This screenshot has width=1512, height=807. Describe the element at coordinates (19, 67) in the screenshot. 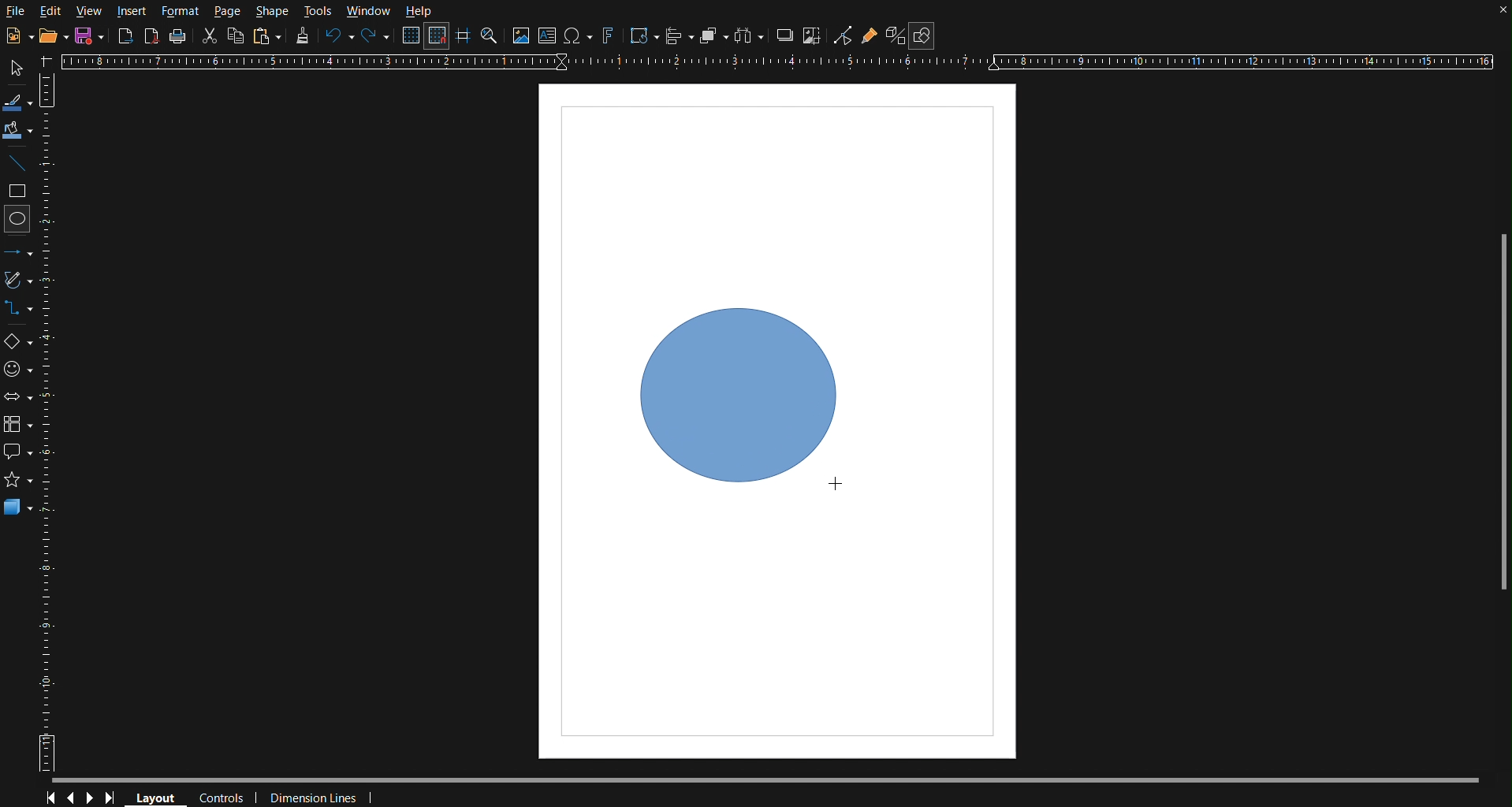

I see `Select` at that location.